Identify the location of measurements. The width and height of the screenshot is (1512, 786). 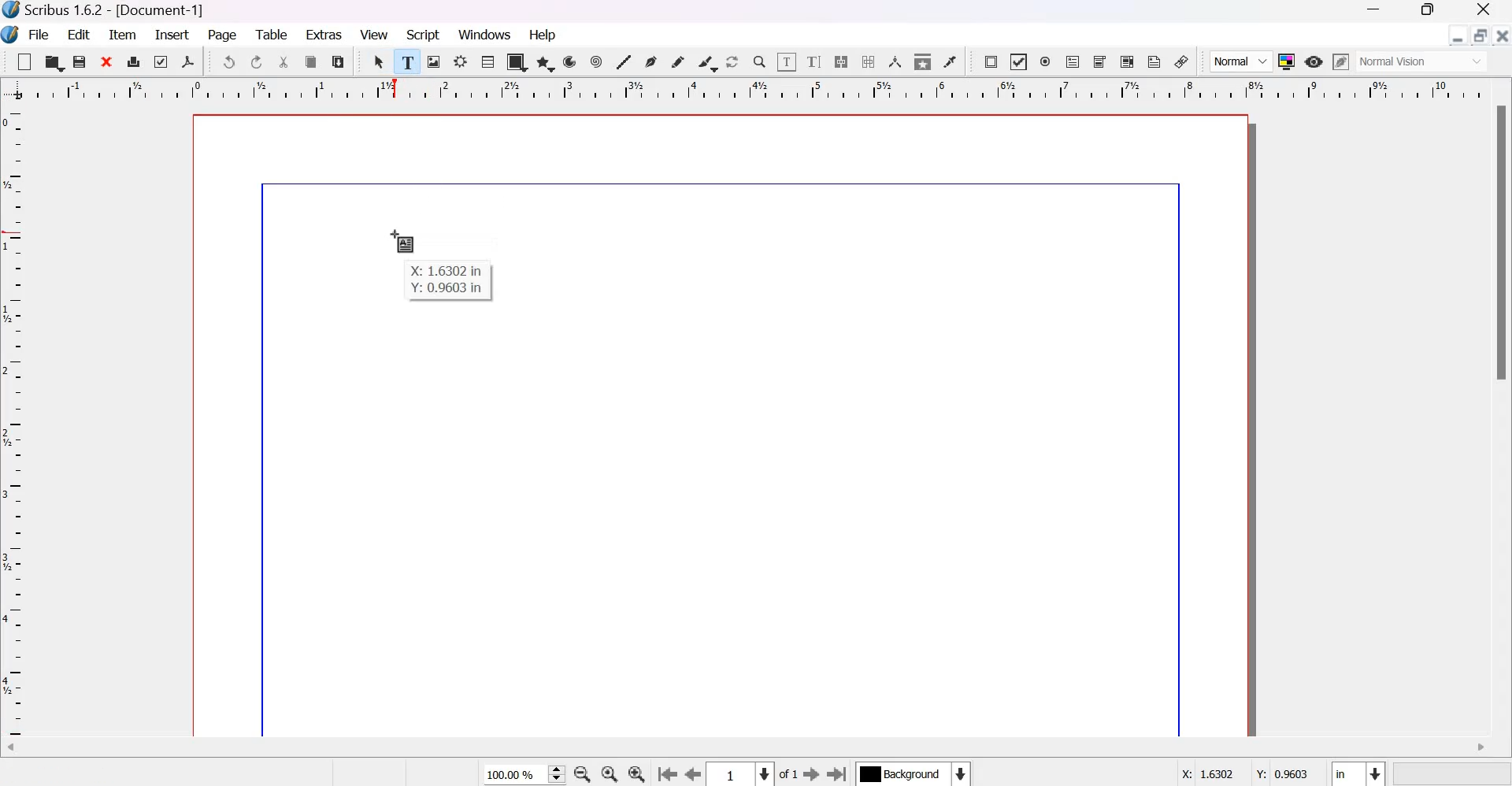
(895, 61).